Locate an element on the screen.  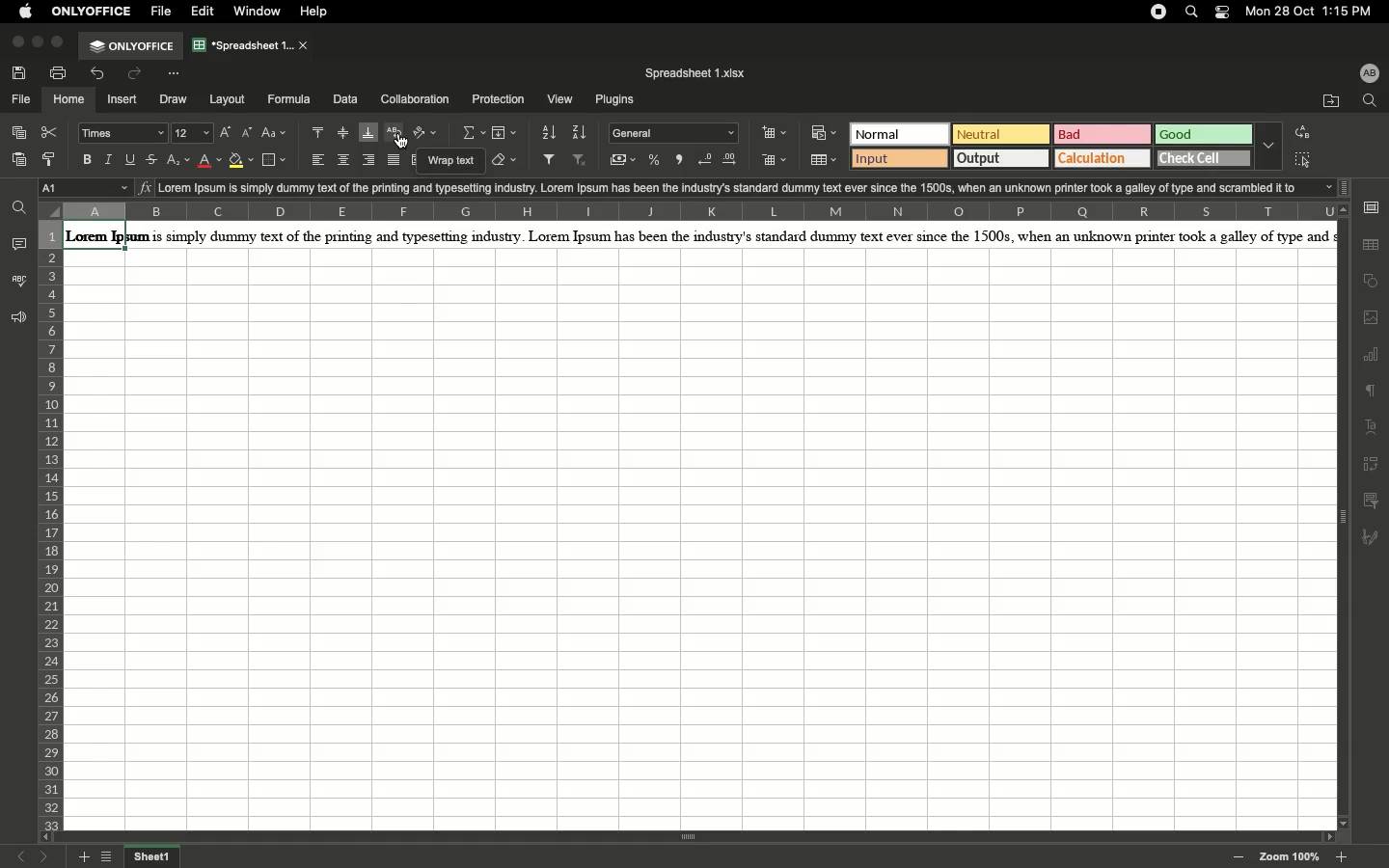
Align middle is located at coordinates (343, 133).